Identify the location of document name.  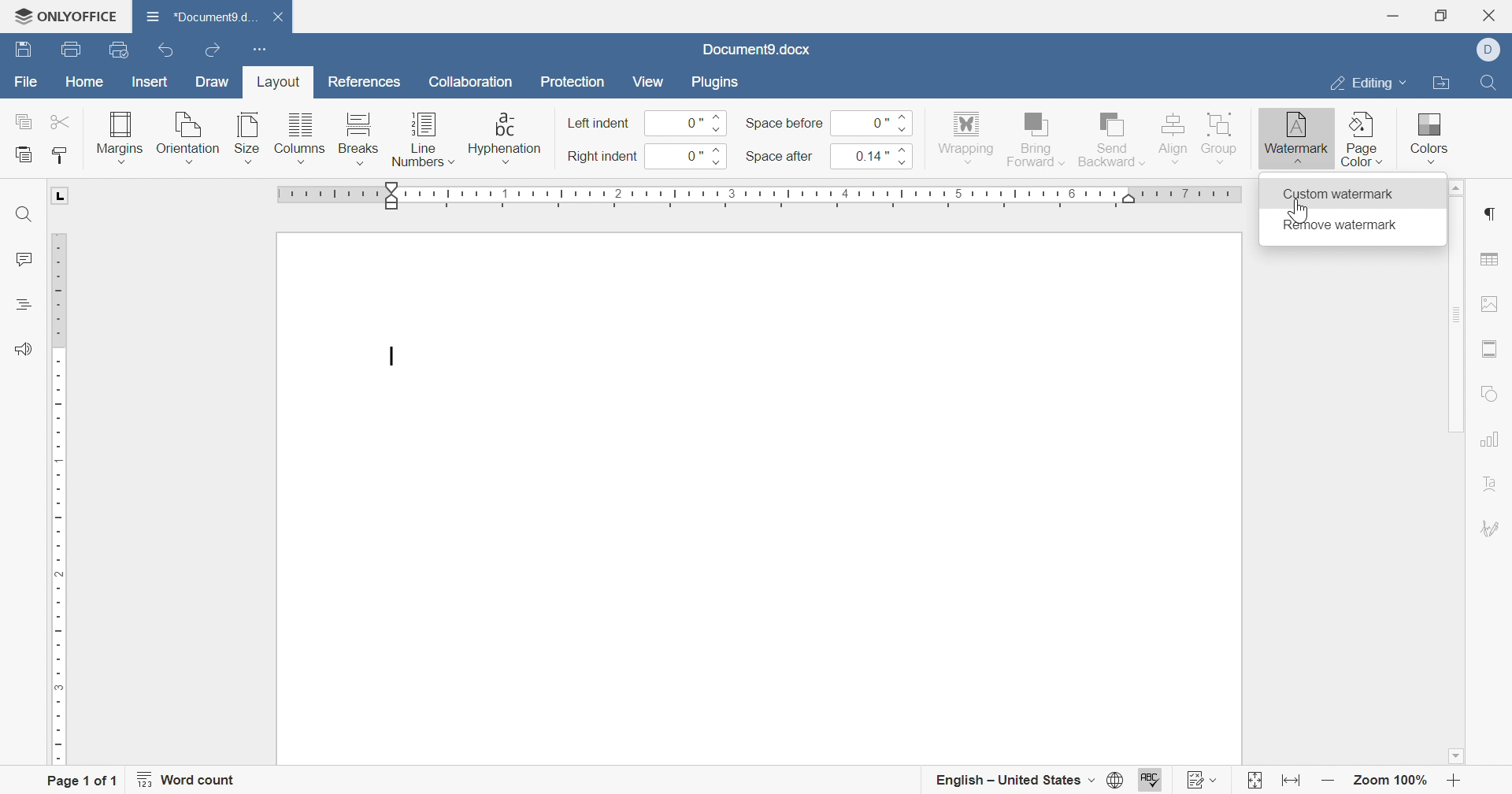
(755, 50).